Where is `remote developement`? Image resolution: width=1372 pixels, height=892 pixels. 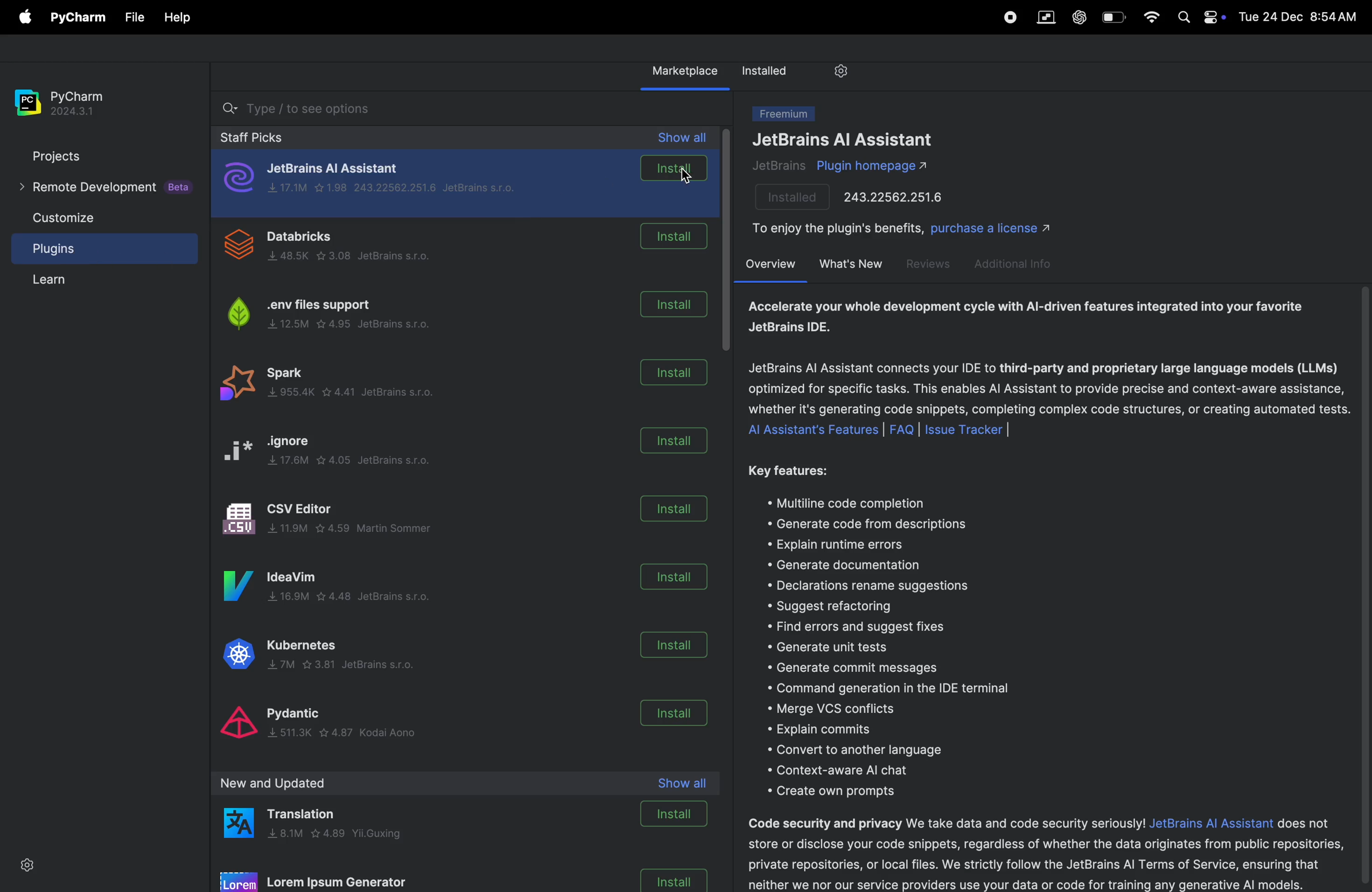 remote developement is located at coordinates (107, 187).